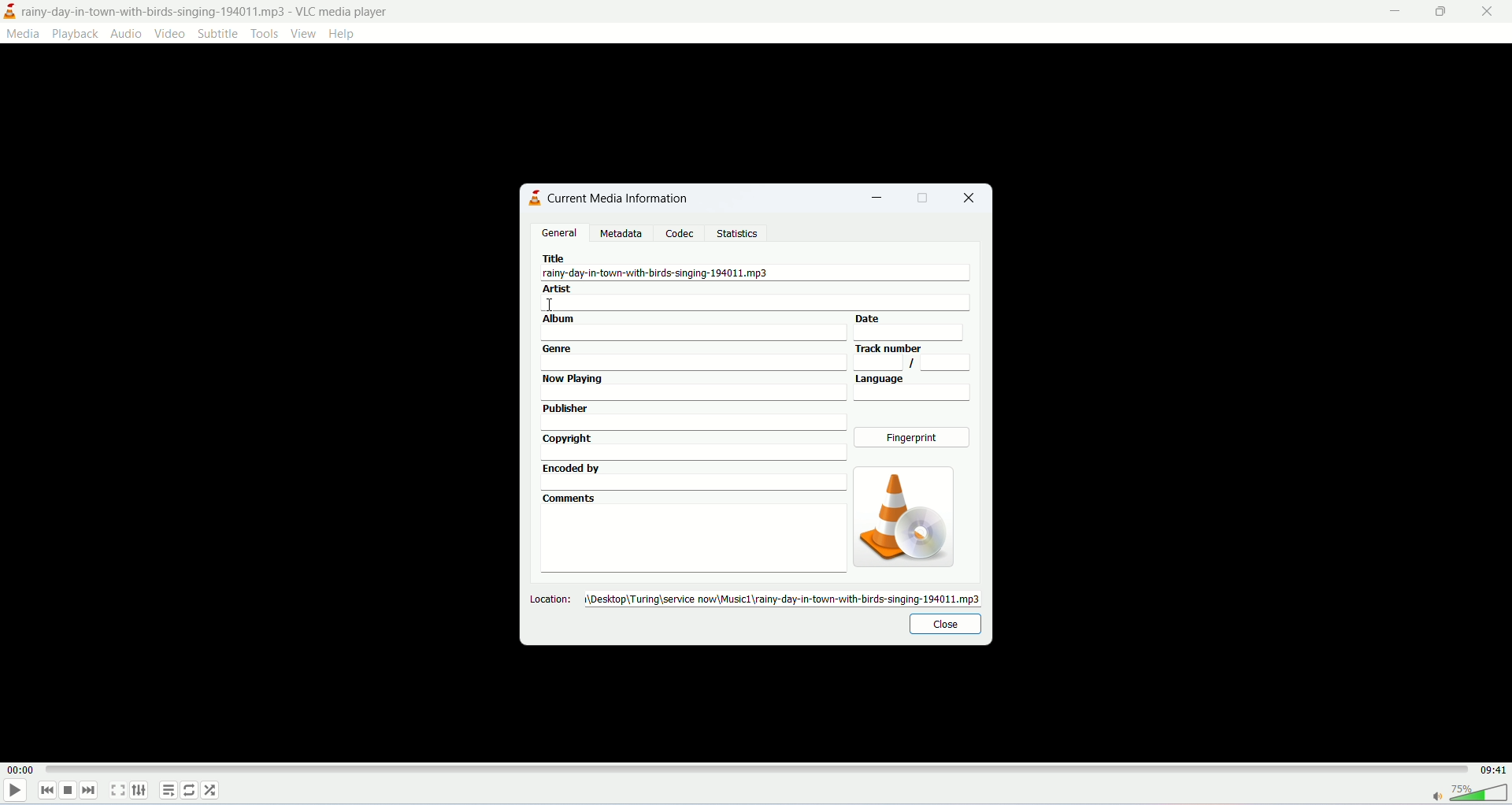  Describe the element at coordinates (618, 198) in the screenshot. I see `current media information` at that location.